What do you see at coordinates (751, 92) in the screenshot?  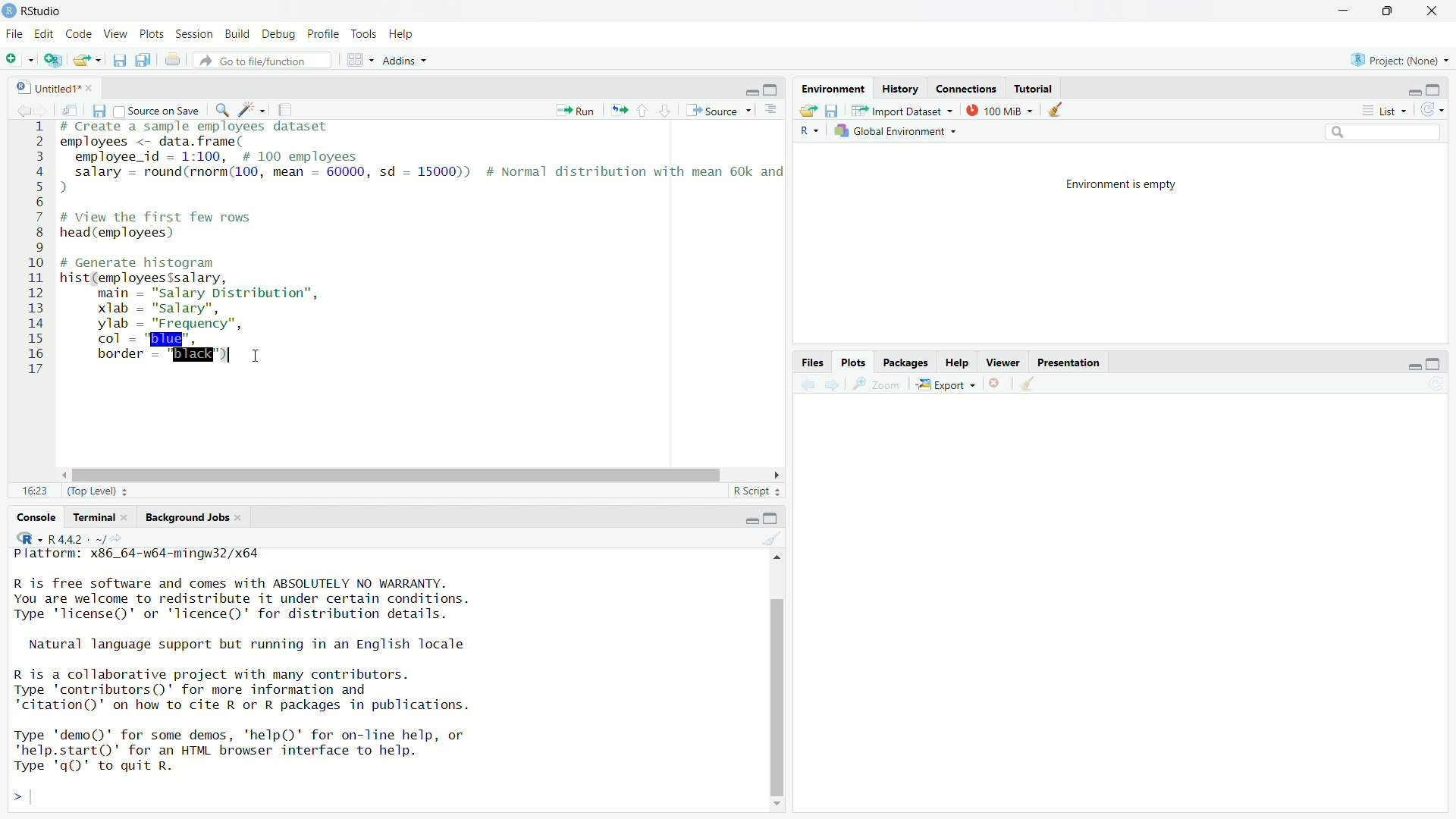 I see `minimise` at bounding box center [751, 92].